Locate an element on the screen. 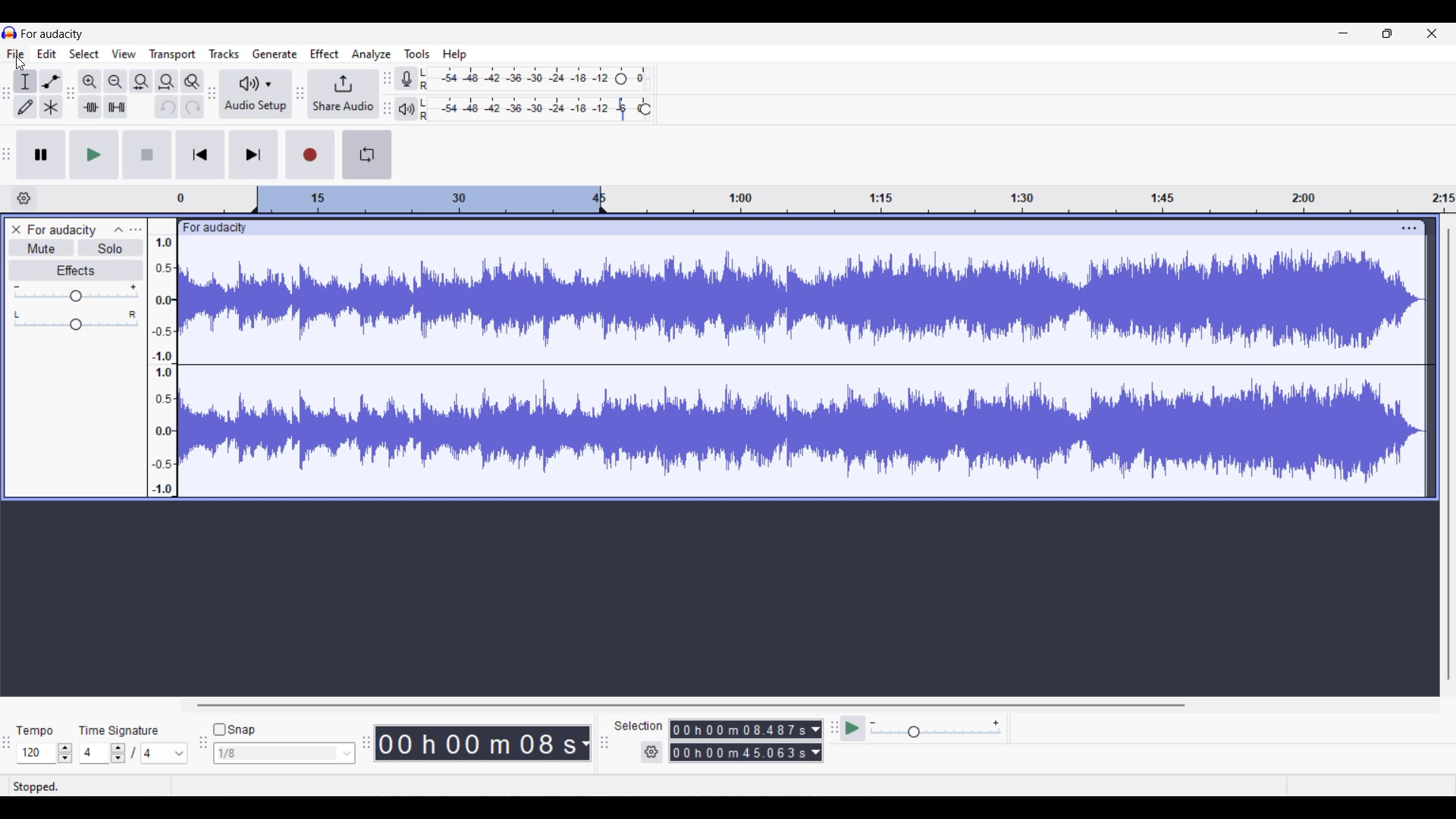  Show in smaller tab is located at coordinates (1387, 33).